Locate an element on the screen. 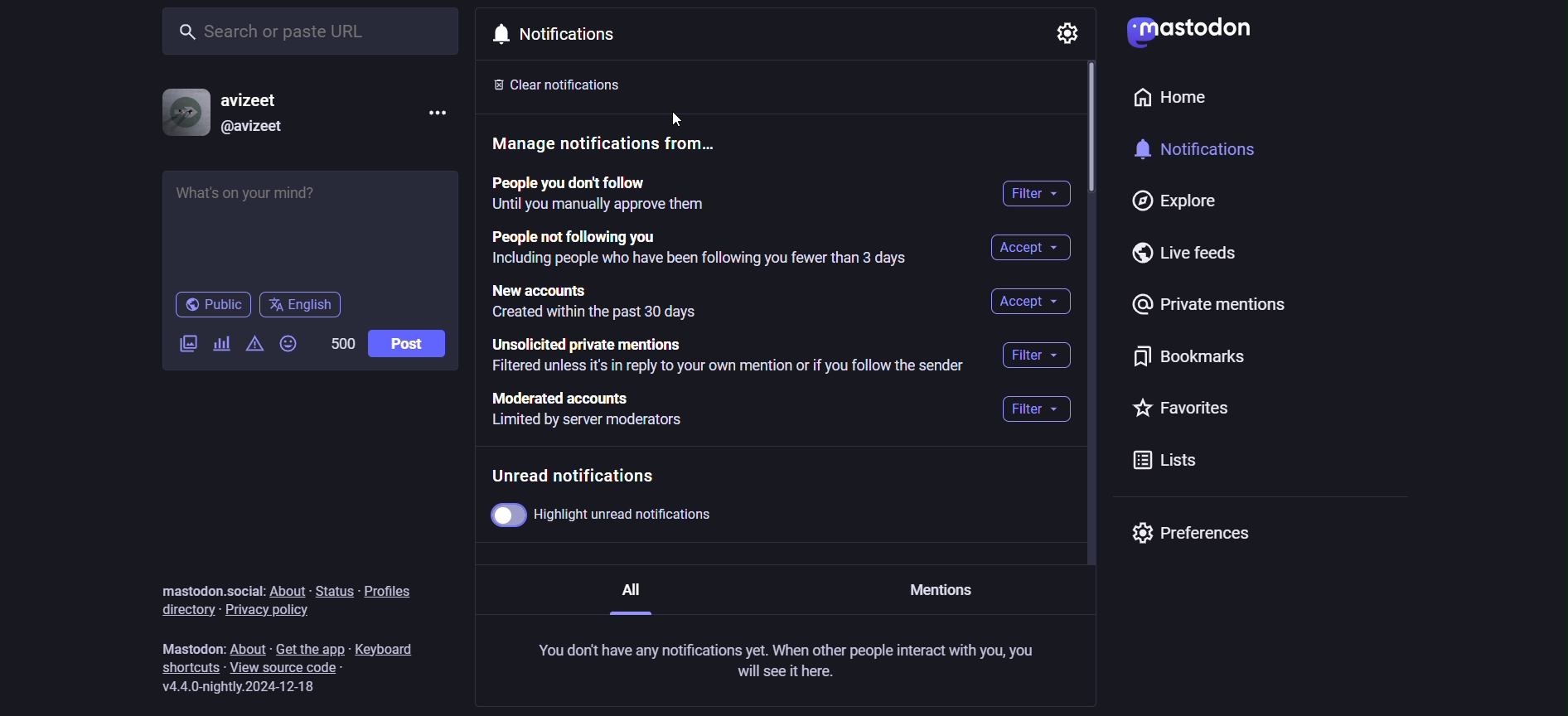 This screenshot has height=716, width=1568. notification is located at coordinates (561, 34).